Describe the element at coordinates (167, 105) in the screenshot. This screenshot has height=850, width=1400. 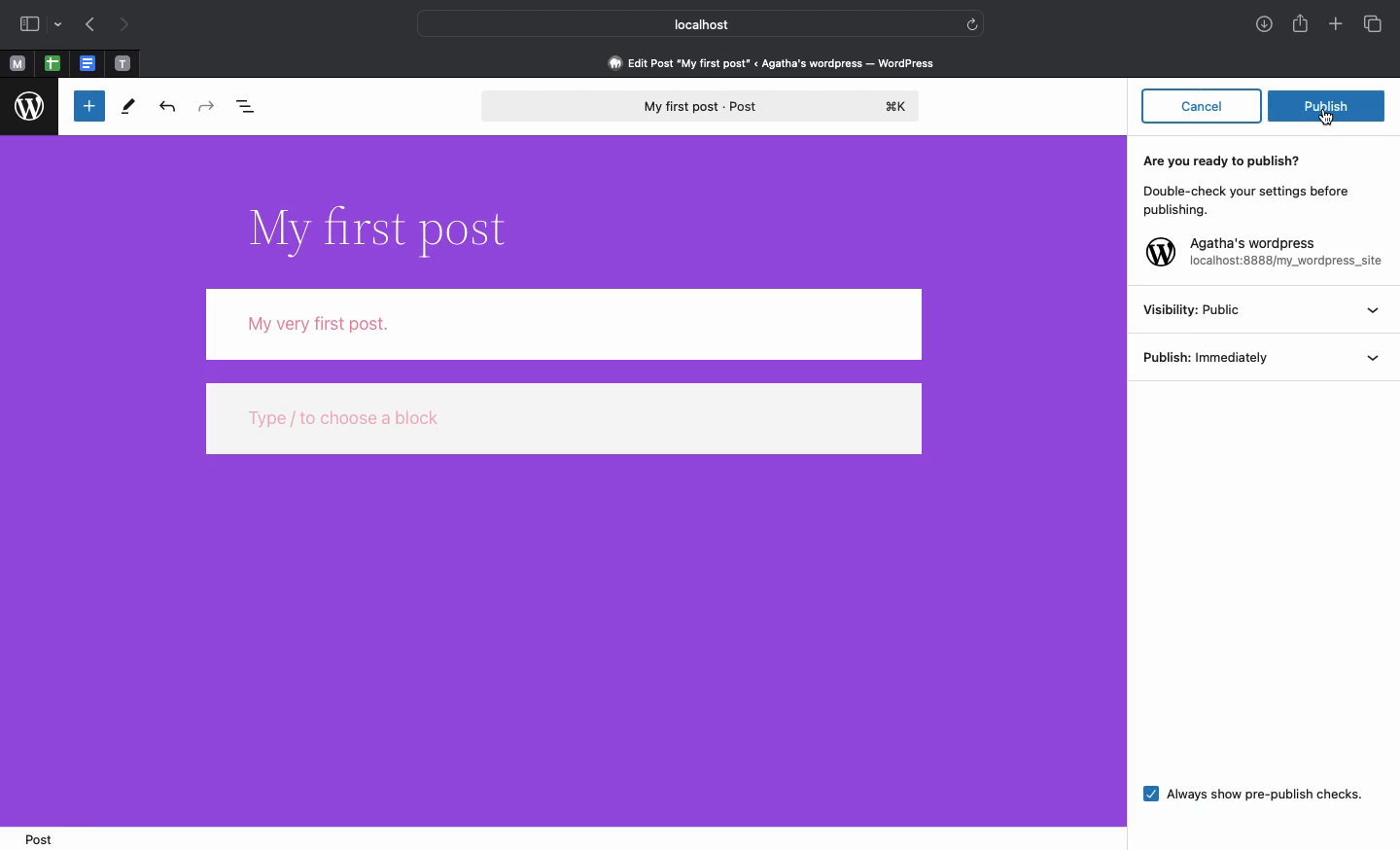
I see `Undo` at that location.